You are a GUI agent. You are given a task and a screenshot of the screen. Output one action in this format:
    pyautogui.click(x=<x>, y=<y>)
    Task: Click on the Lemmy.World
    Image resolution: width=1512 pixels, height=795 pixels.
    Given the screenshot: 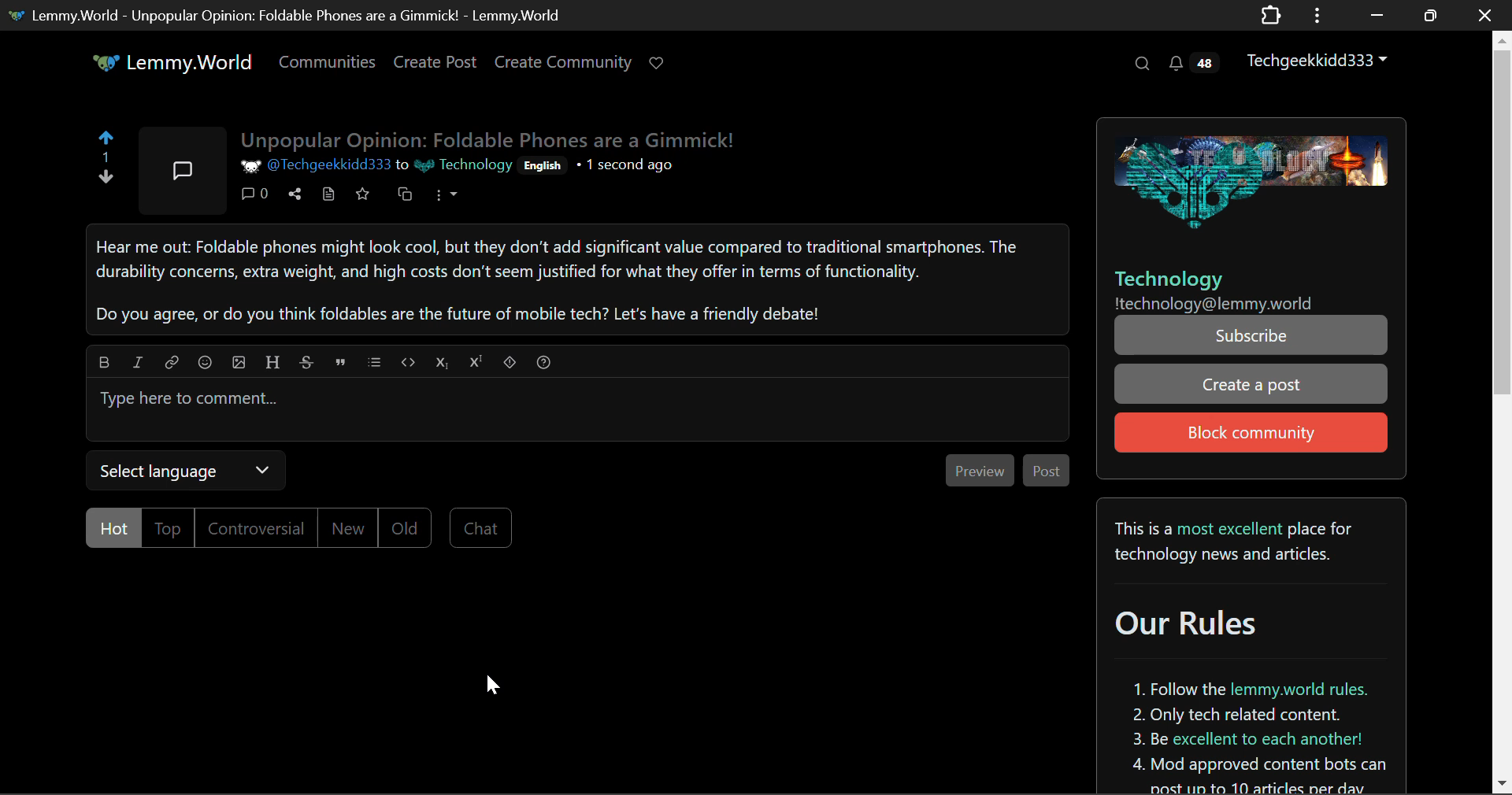 What is the action you would take?
    pyautogui.click(x=175, y=65)
    